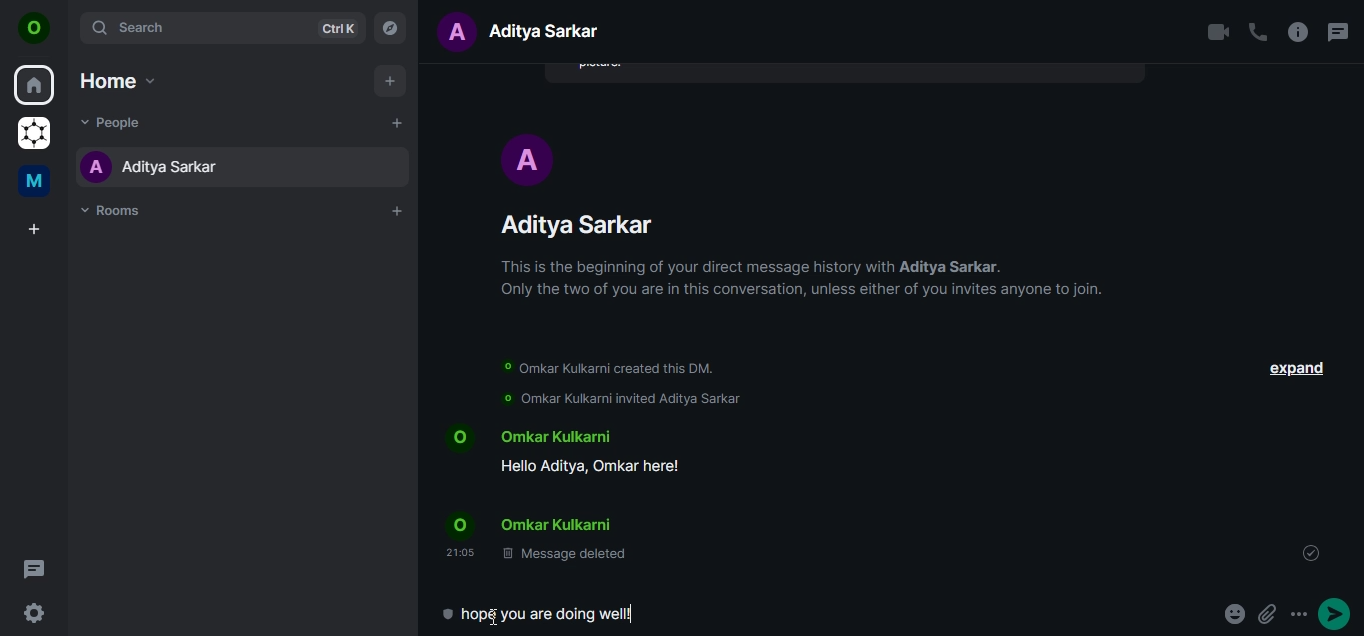  Describe the element at coordinates (1340, 35) in the screenshot. I see `threads` at that location.